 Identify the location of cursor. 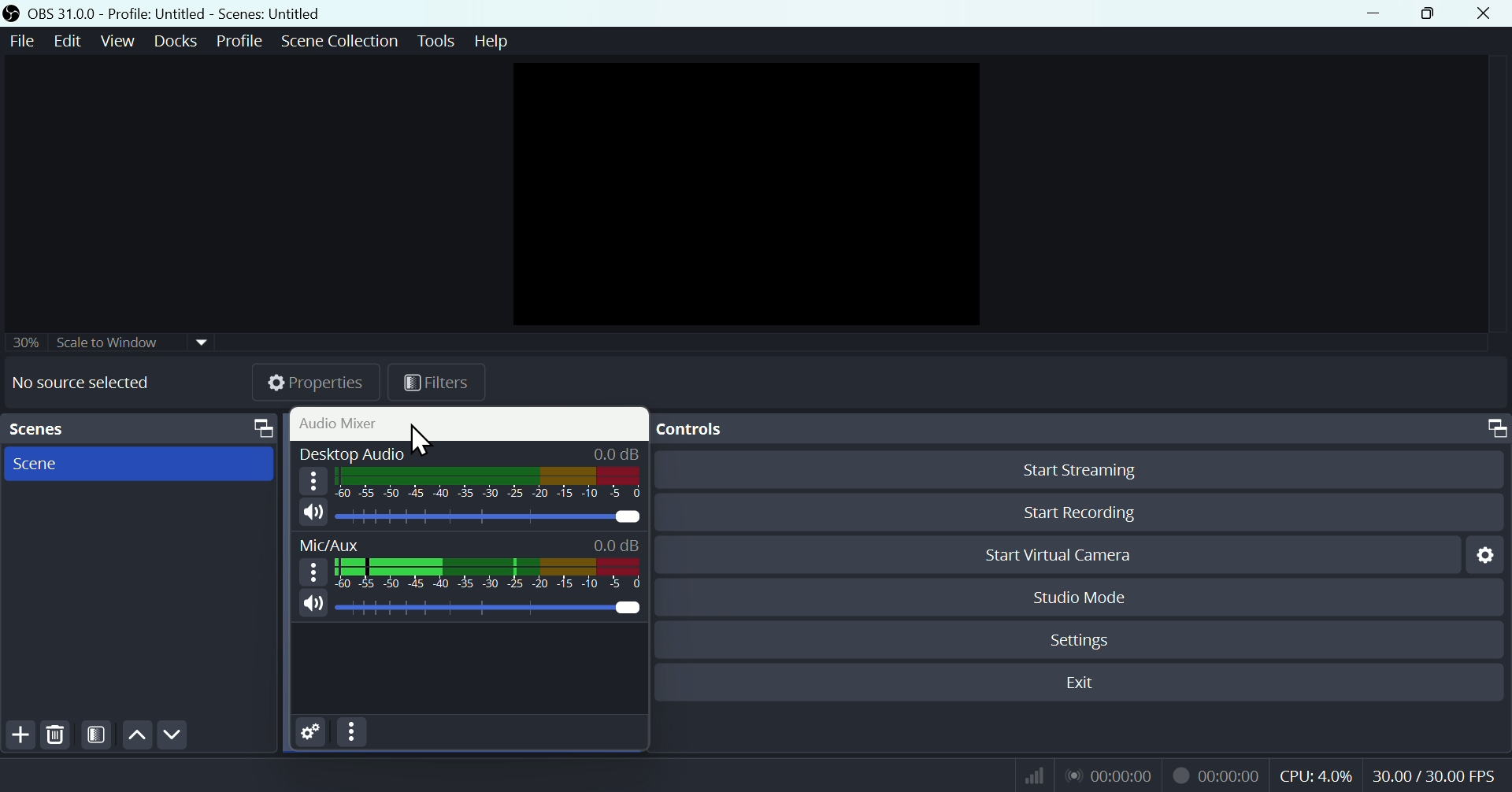
(421, 442).